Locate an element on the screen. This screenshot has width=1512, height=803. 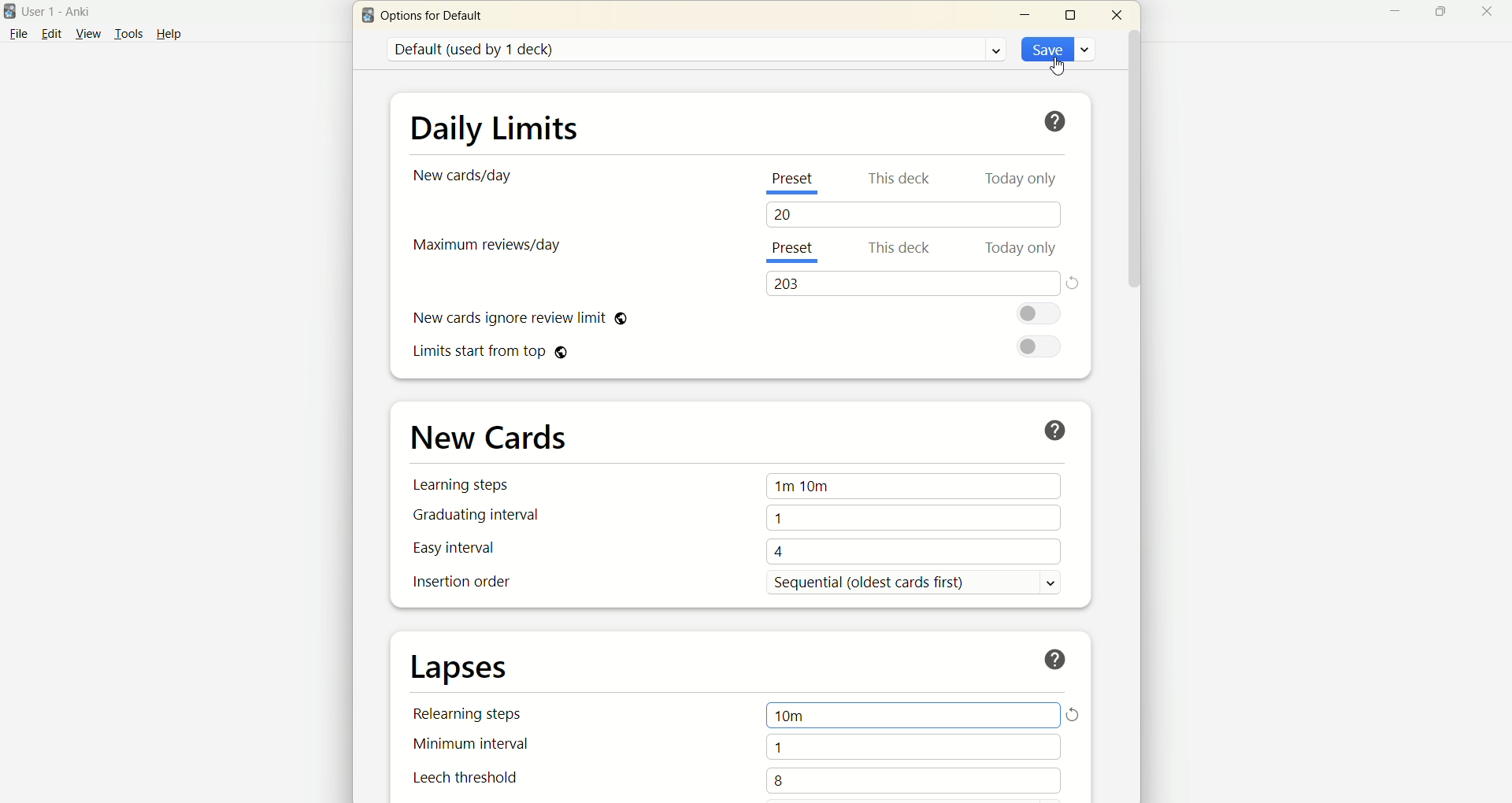
edit is located at coordinates (50, 33).